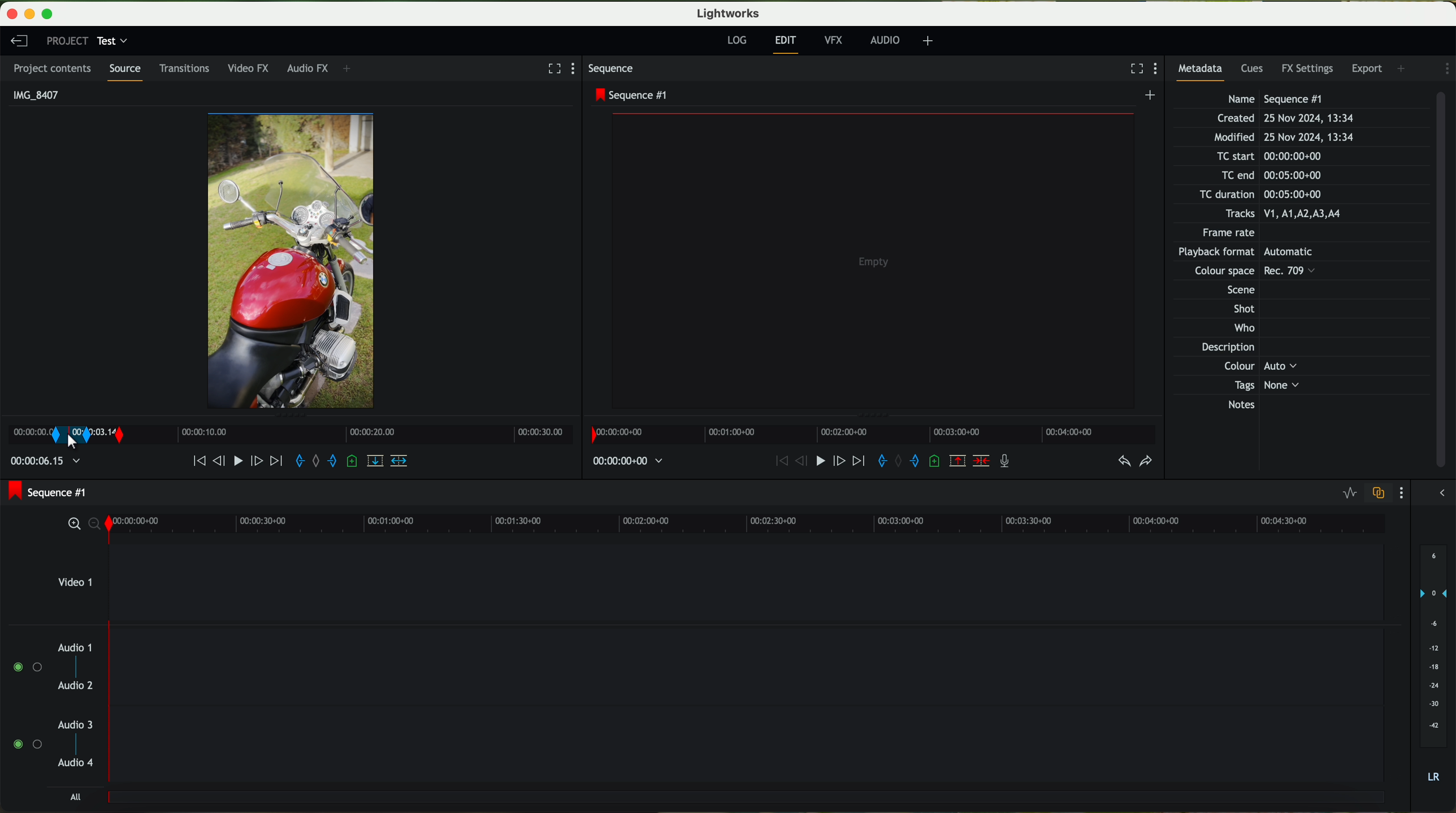 This screenshot has height=813, width=1456. Describe the element at coordinates (727, 14) in the screenshot. I see `Lightworks` at that location.